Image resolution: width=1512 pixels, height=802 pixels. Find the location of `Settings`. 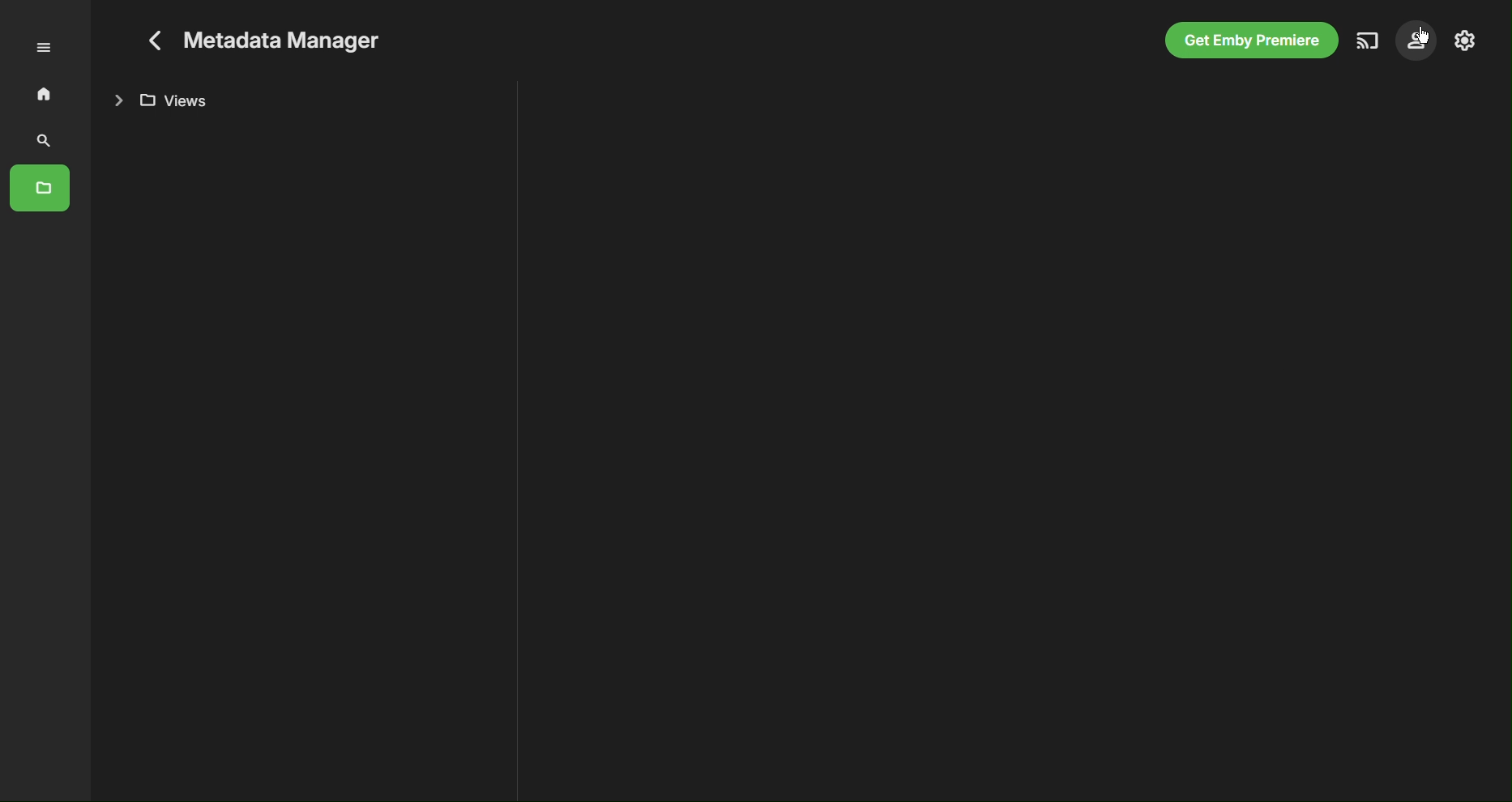

Settings is located at coordinates (1464, 42).